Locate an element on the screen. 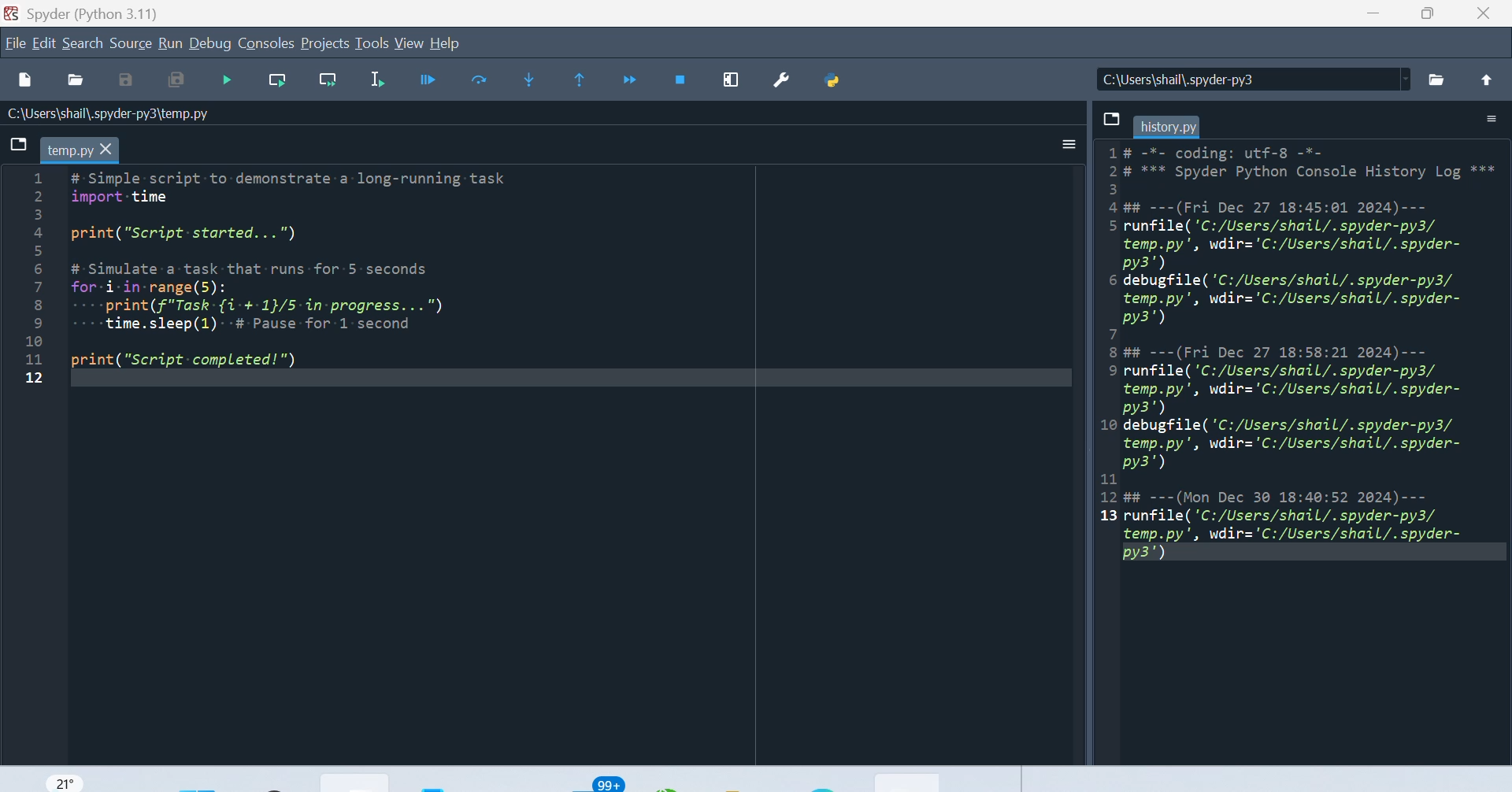  more ooption is located at coordinates (1060, 149).